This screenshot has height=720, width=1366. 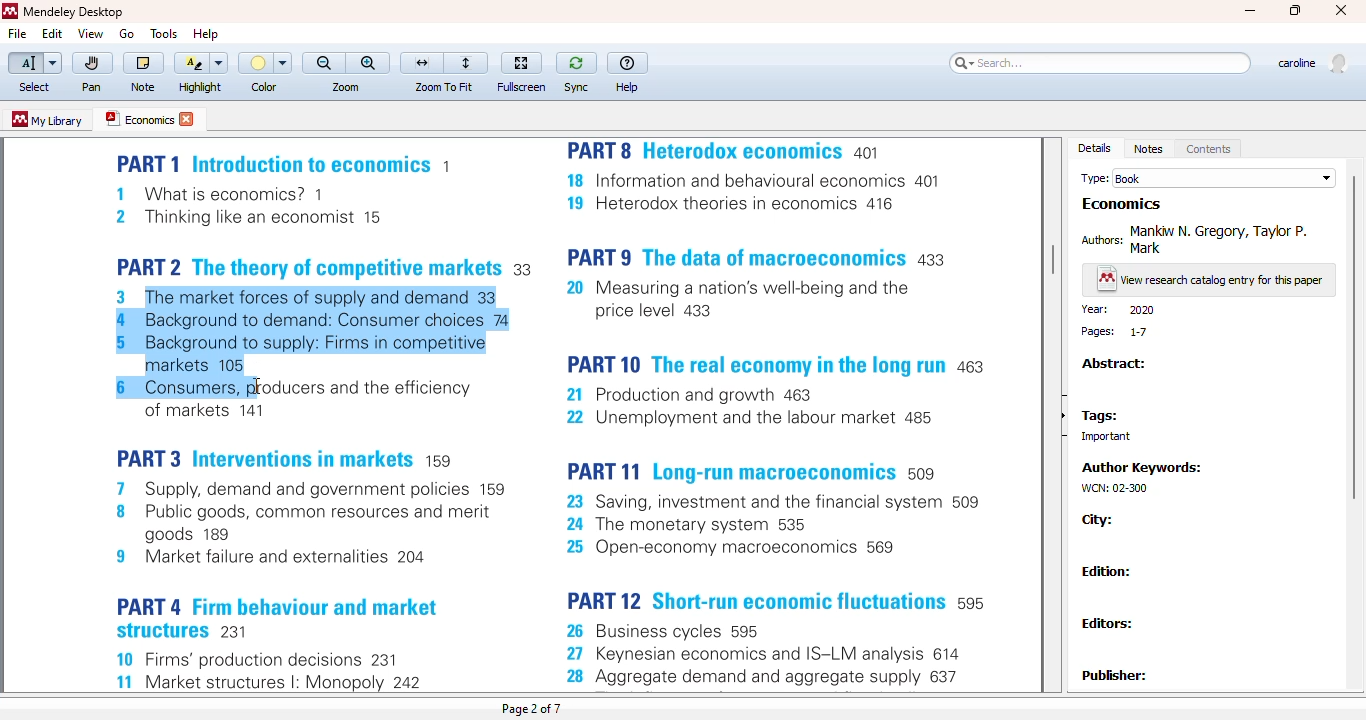 What do you see at coordinates (577, 64) in the screenshot?
I see `sync` at bounding box center [577, 64].